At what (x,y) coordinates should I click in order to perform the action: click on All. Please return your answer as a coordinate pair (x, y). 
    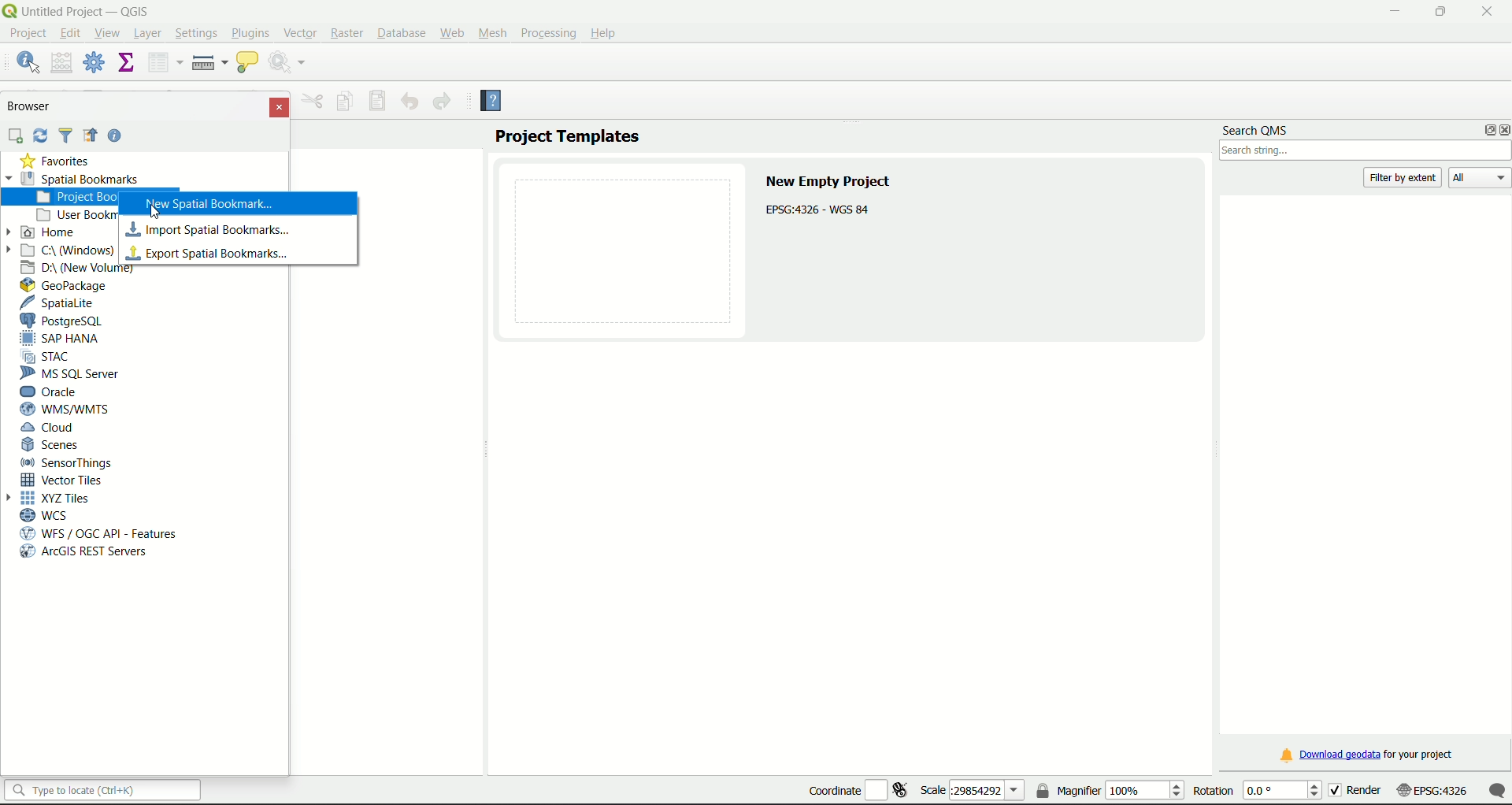
    Looking at the image, I should click on (1480, 177).